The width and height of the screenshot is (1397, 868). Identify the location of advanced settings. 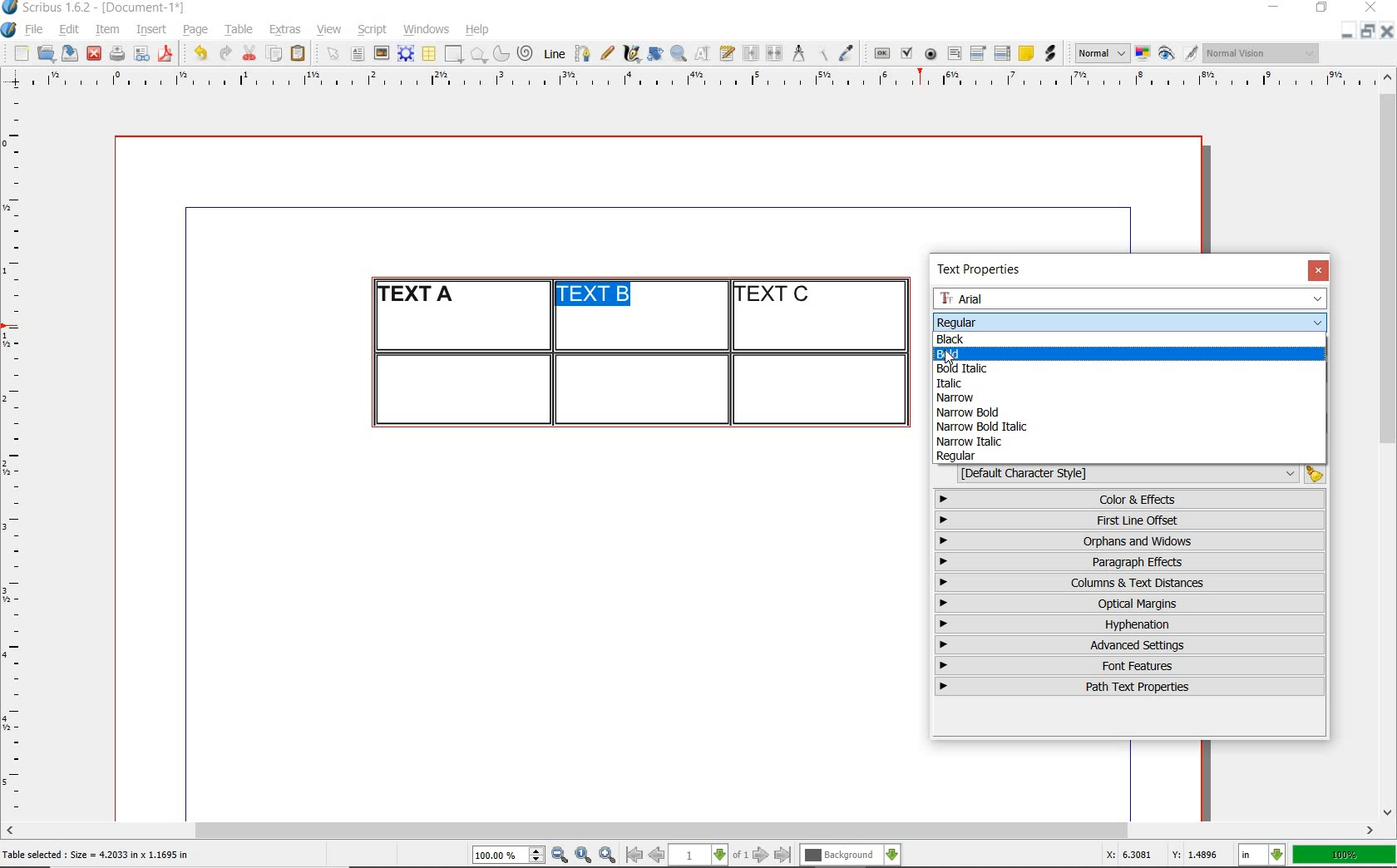
(1128, 644).